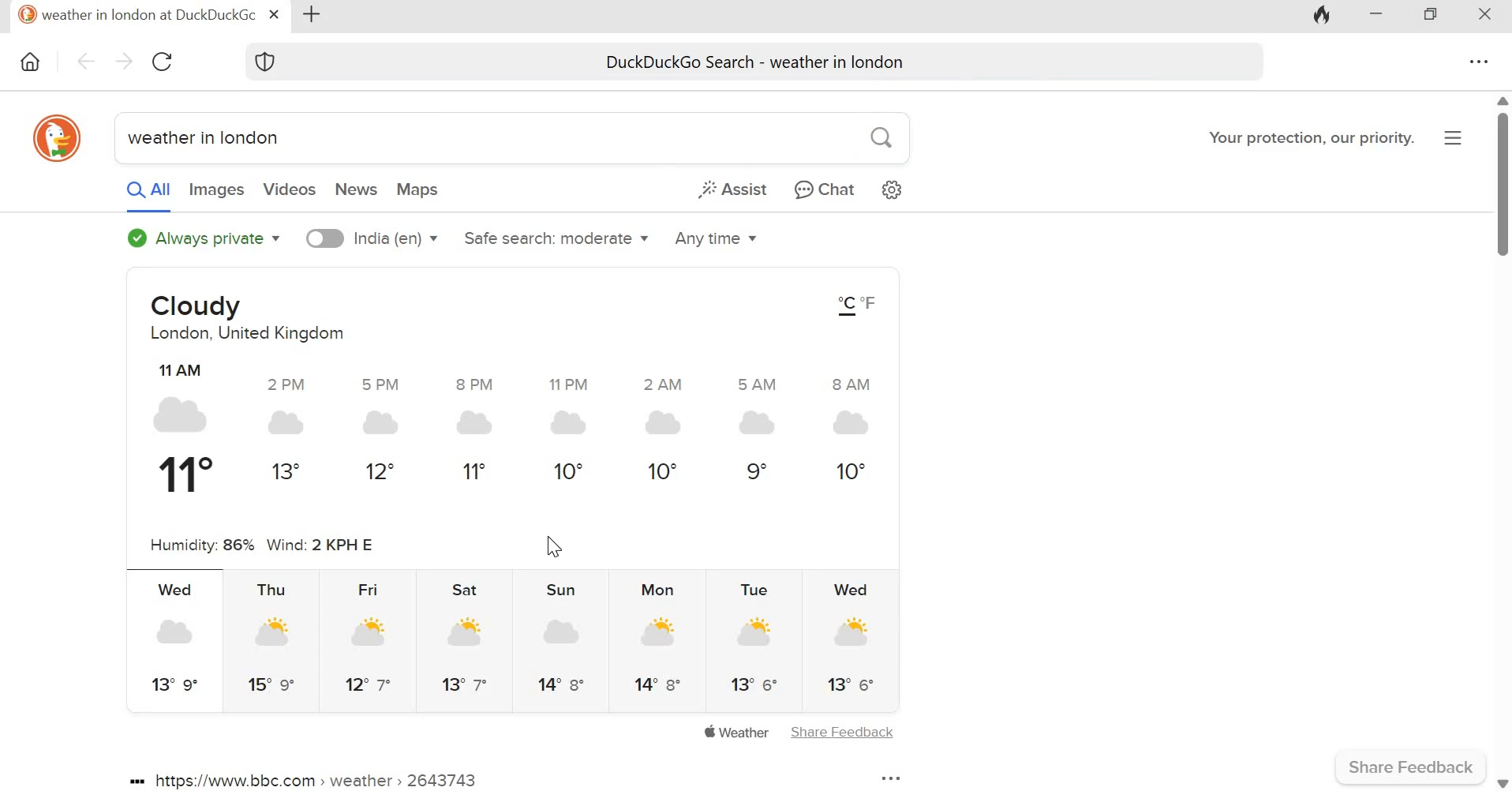 The height and width of the screenshot is (791, 1512). Describe the element at coordinates (1488, 16) in the screenshot. I see `Close` at that location.